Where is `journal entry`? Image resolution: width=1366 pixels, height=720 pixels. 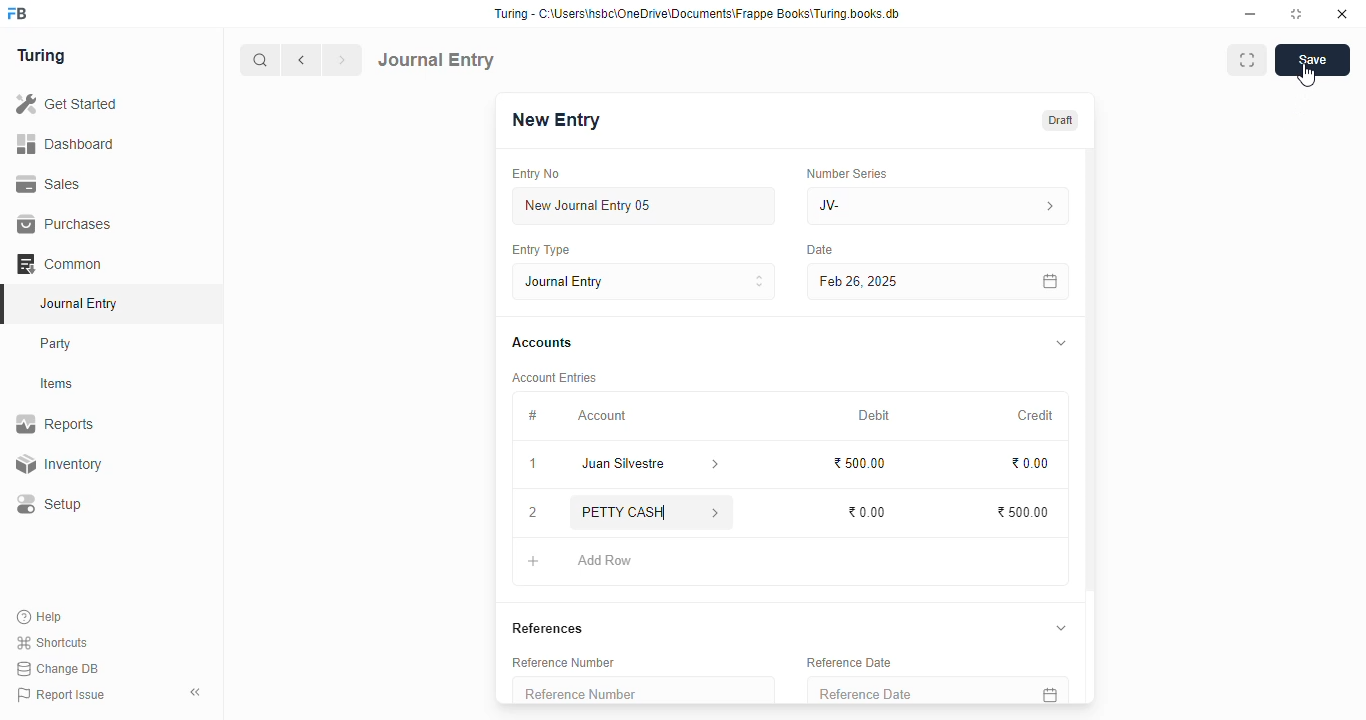 journal entry is located at coordinates (78, 303).